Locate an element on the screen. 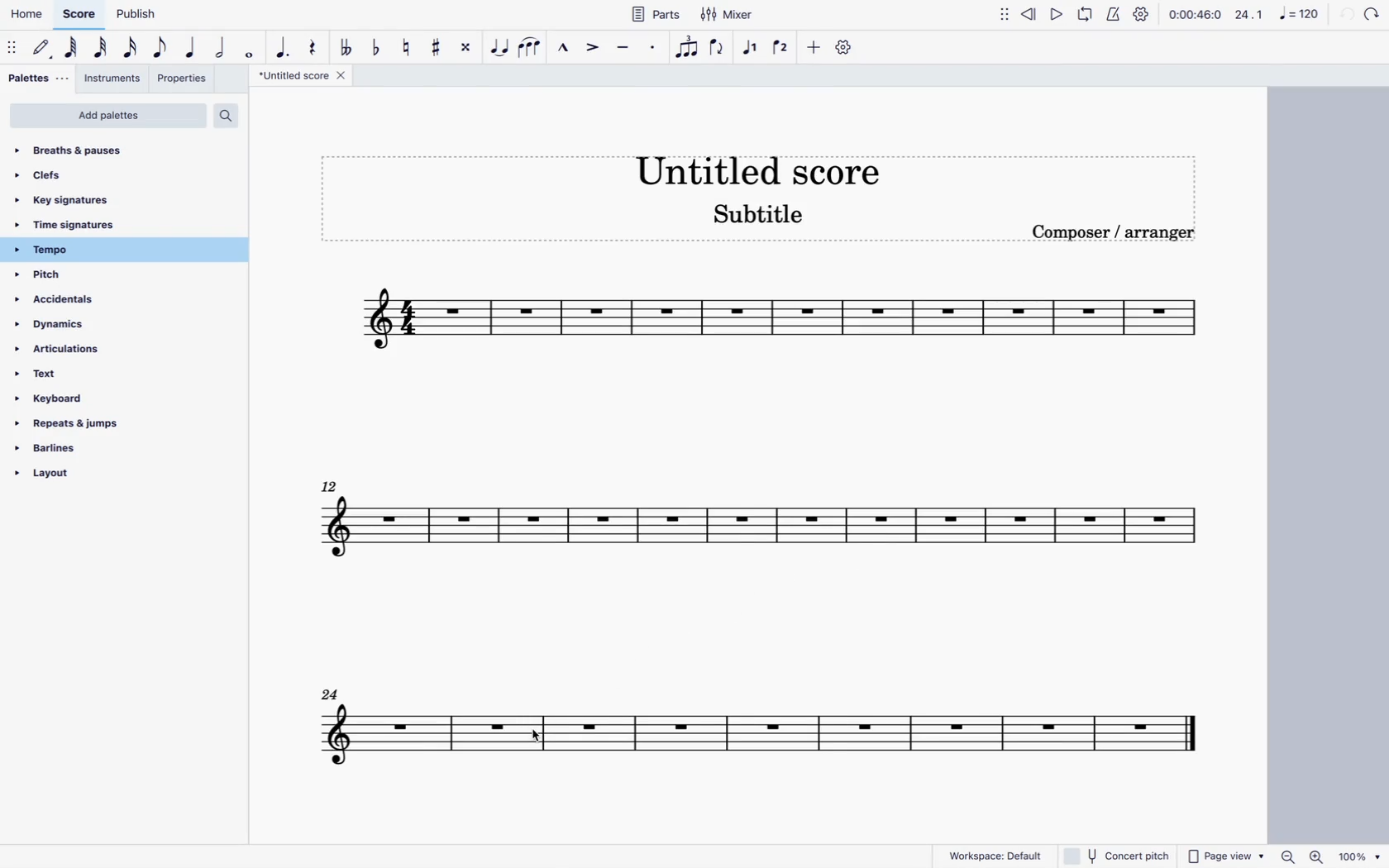 The width and height of the screenshot is (1389, 868). mixer is located at coordinates (727, 16).